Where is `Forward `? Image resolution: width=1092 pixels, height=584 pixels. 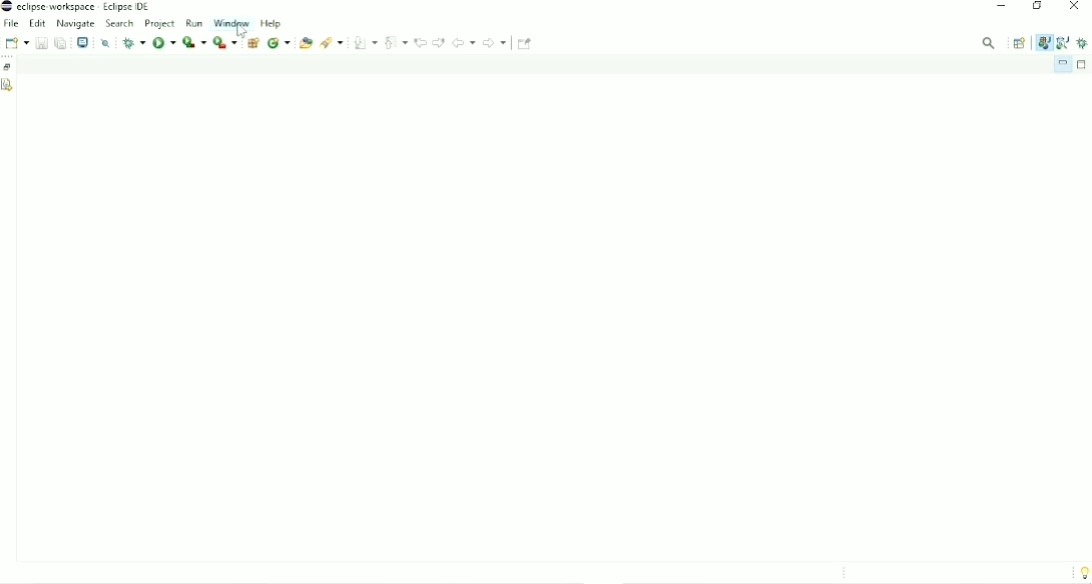
Forward  is located at coordinates (496, 42).